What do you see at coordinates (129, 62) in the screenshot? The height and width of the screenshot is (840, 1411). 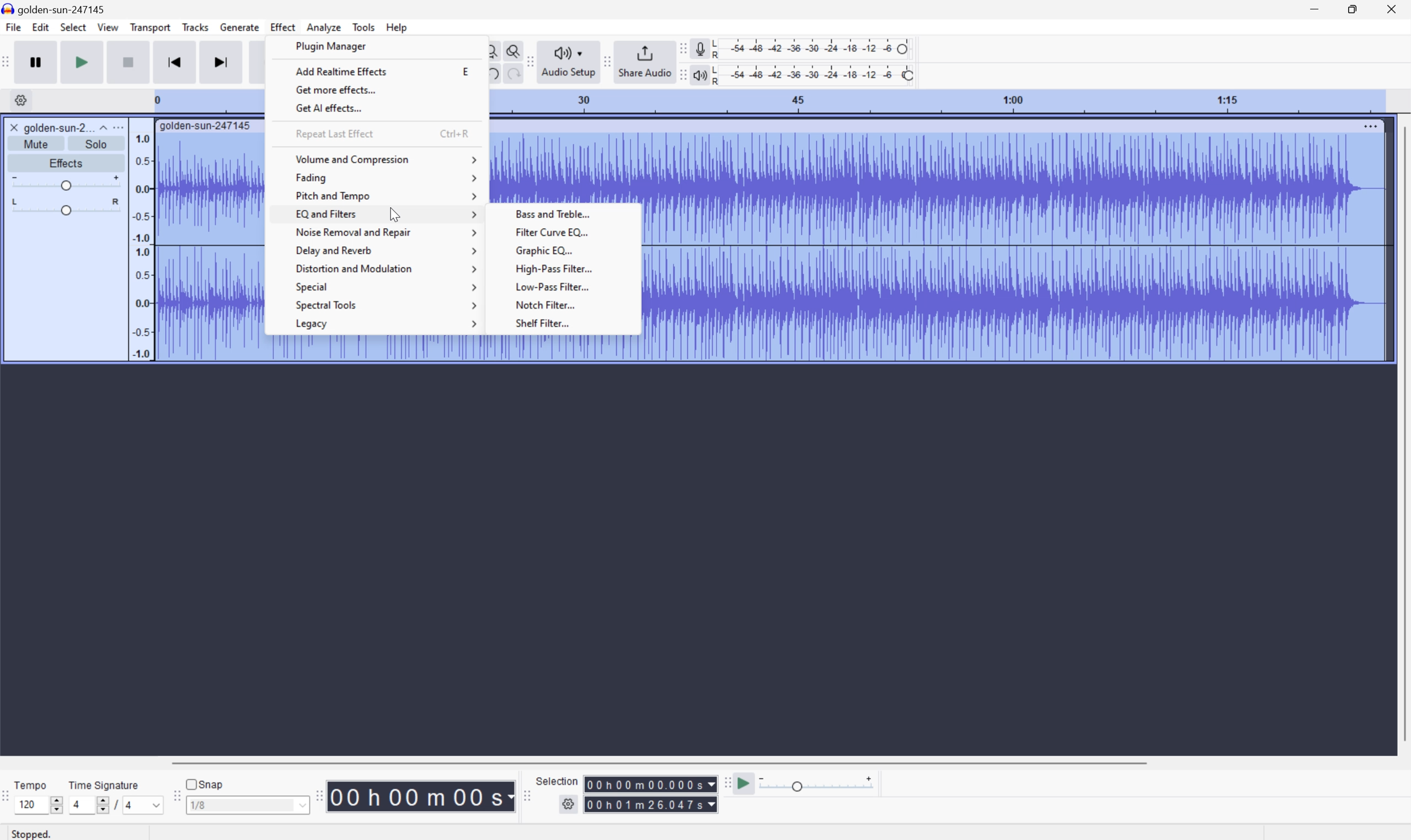 I see `Stop` at bounding box center [129, 62].